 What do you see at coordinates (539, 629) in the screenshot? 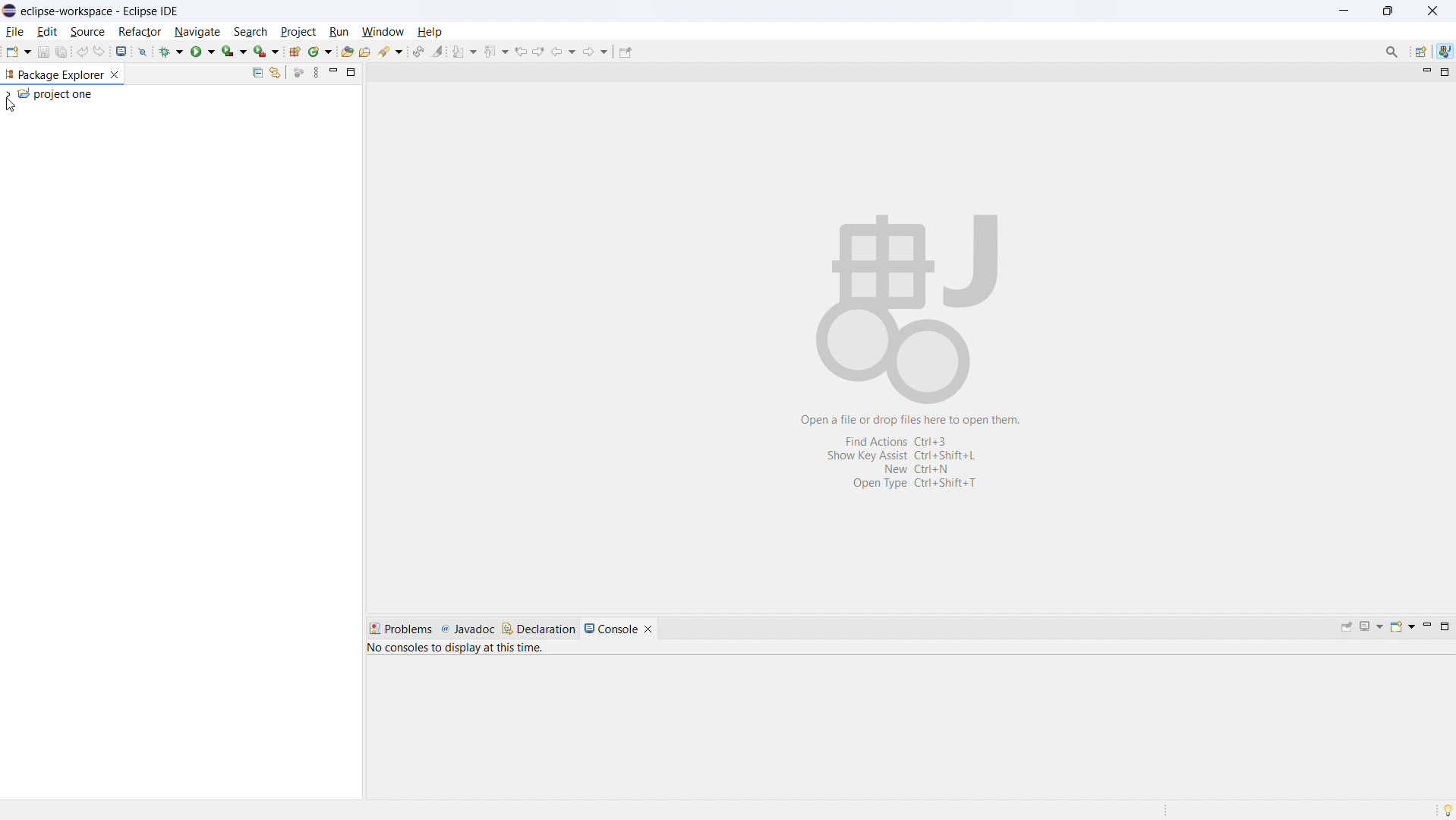
I see `declaration` at bounding box center [539, 629].